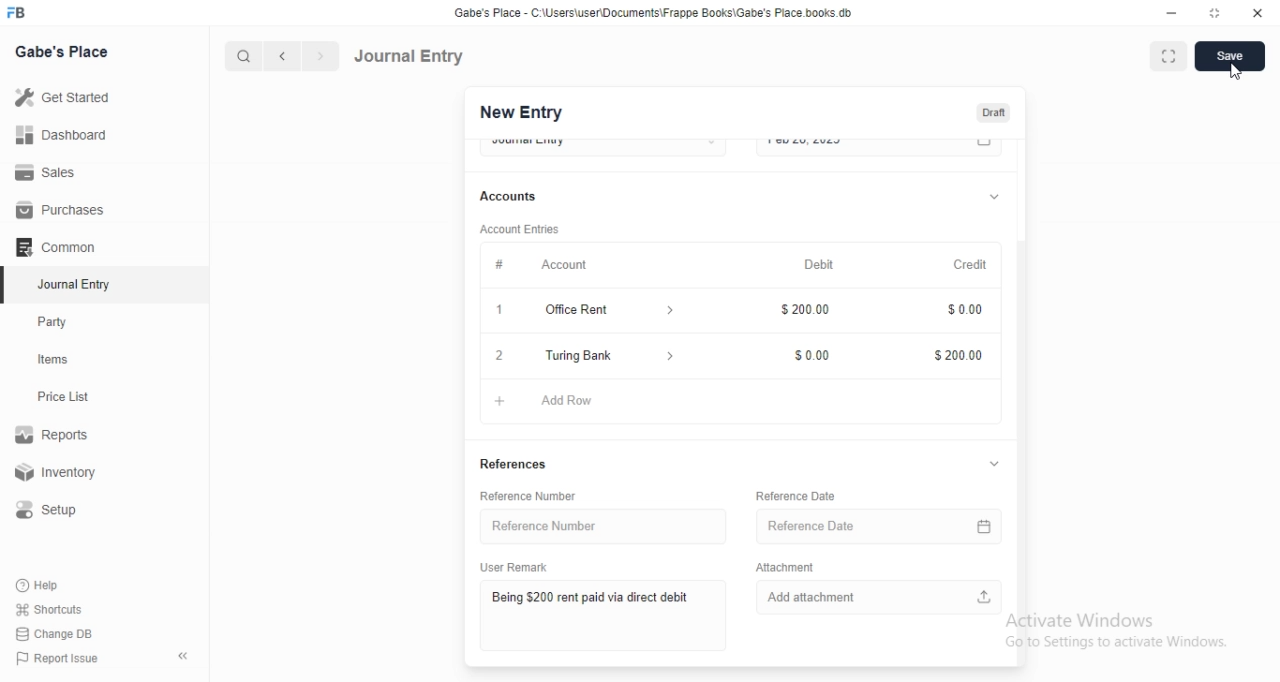 This screenshot has height=682, width=1280. What do you see at coordinates (959, 309) in the screenshot?
I see `` at bounding box center [959, 309].